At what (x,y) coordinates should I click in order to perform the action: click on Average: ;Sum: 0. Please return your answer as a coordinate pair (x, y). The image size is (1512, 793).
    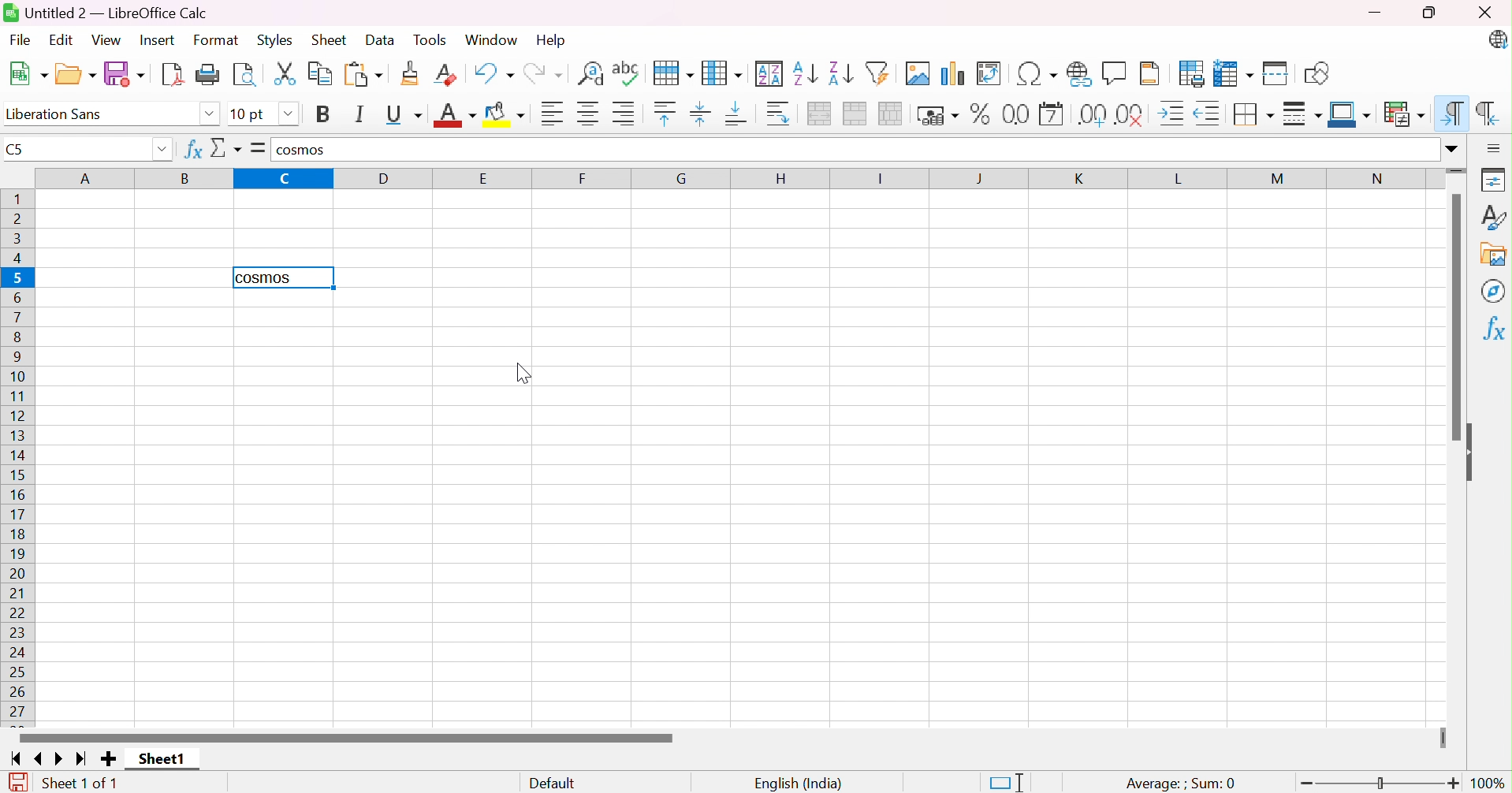
    Looking at the image, I should click on (1182, 784).